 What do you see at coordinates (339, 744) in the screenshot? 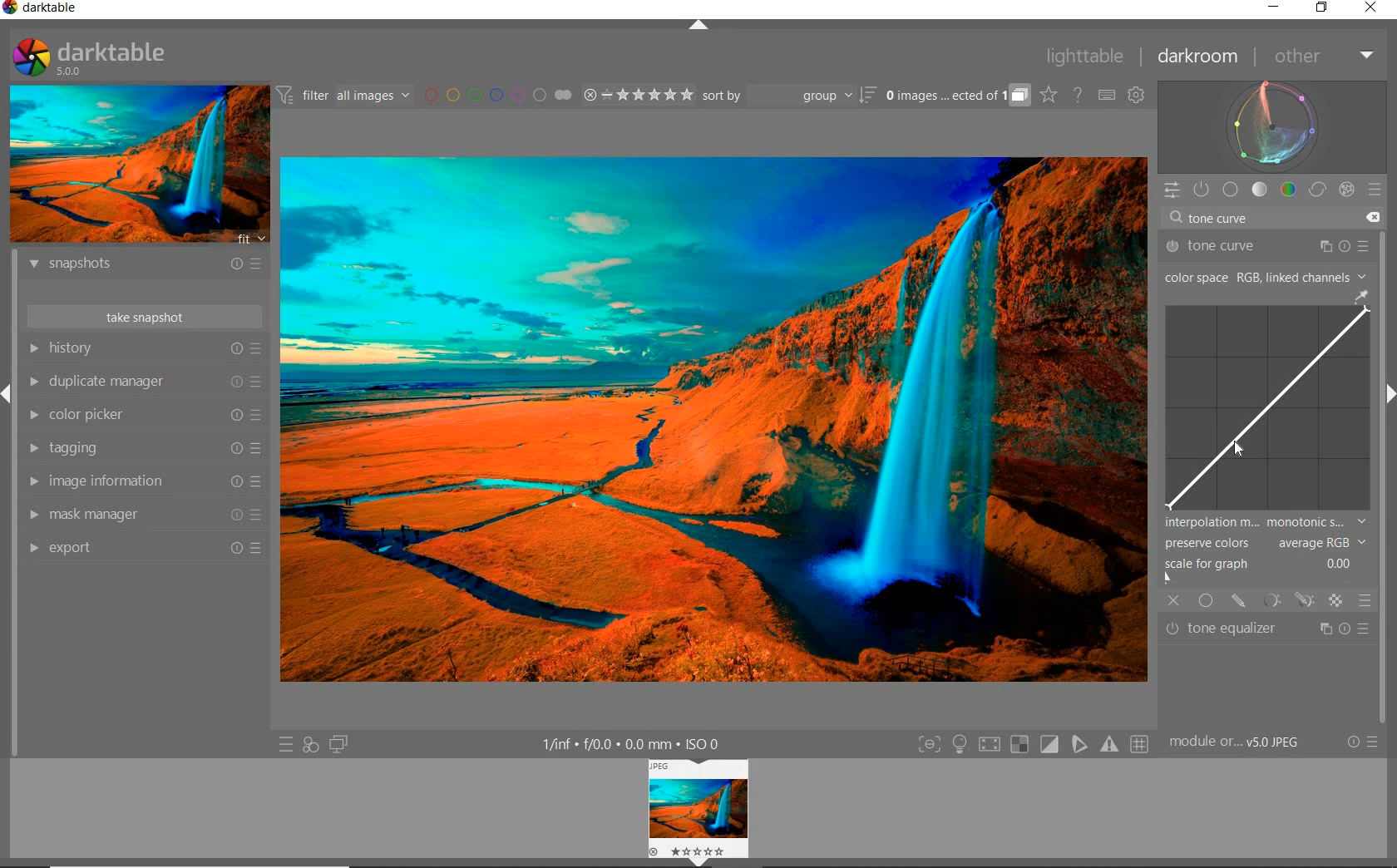
I see `DISPLAY A SECOND DARKROOM IMAGE WINDOW` at bounding box center [339, 744].